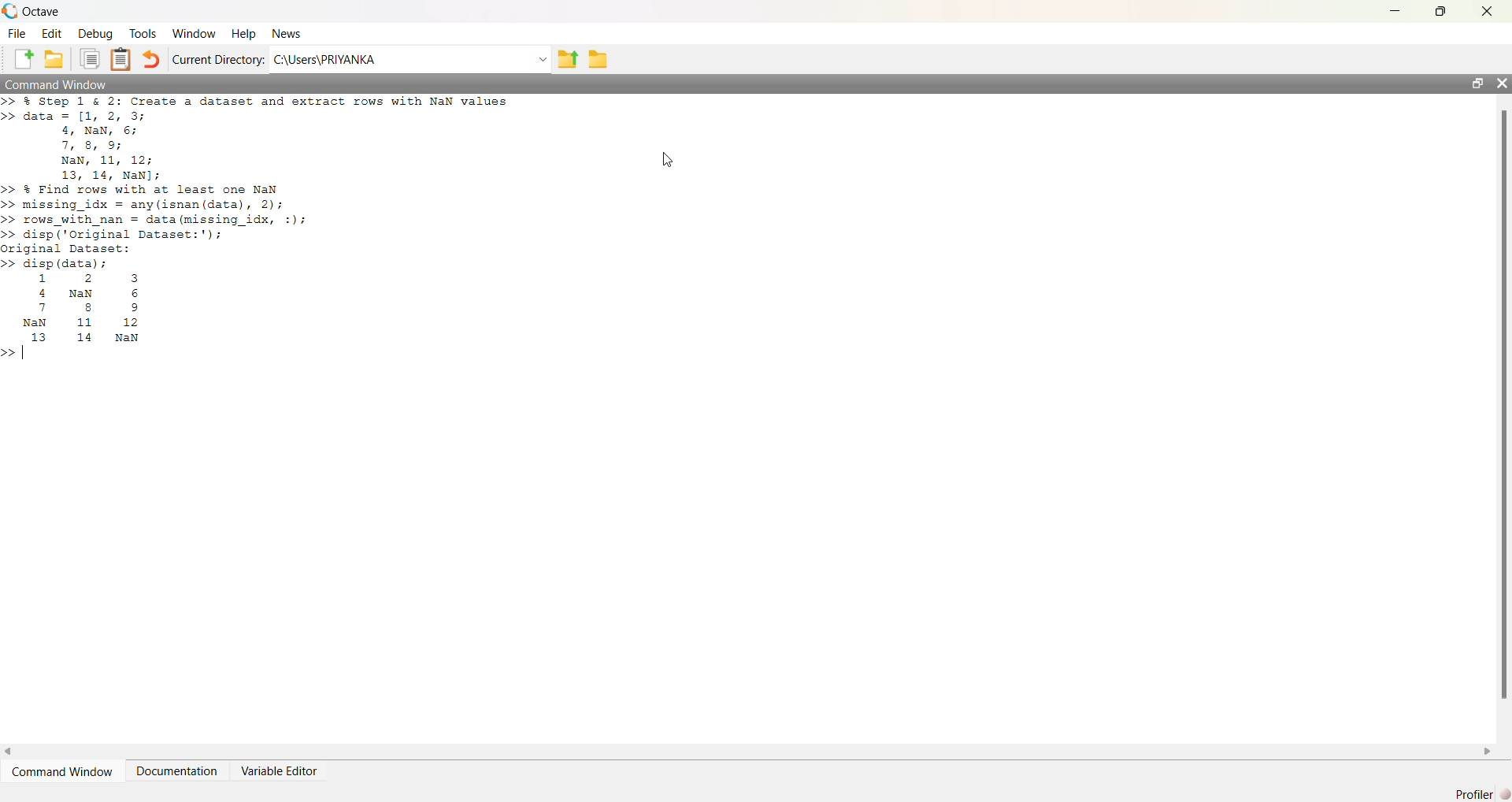  Describe the element at coordinates (1477, 83) in the screenshot. I see `maximize` at that location.